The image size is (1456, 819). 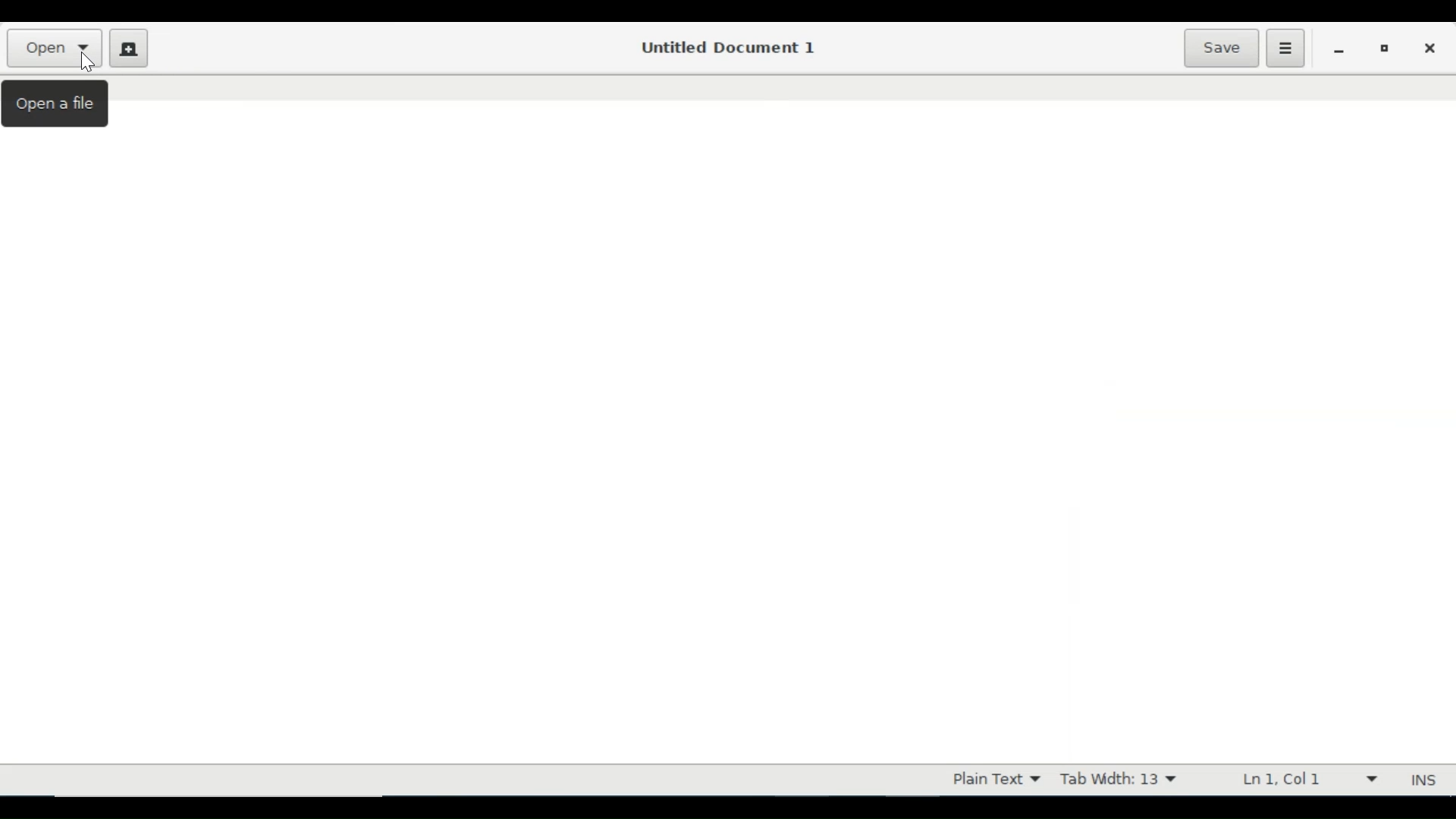 What do you see at coordinates (993, 780) in the screenshot?
I see `Plain Text` at bounding box center [993, 780].